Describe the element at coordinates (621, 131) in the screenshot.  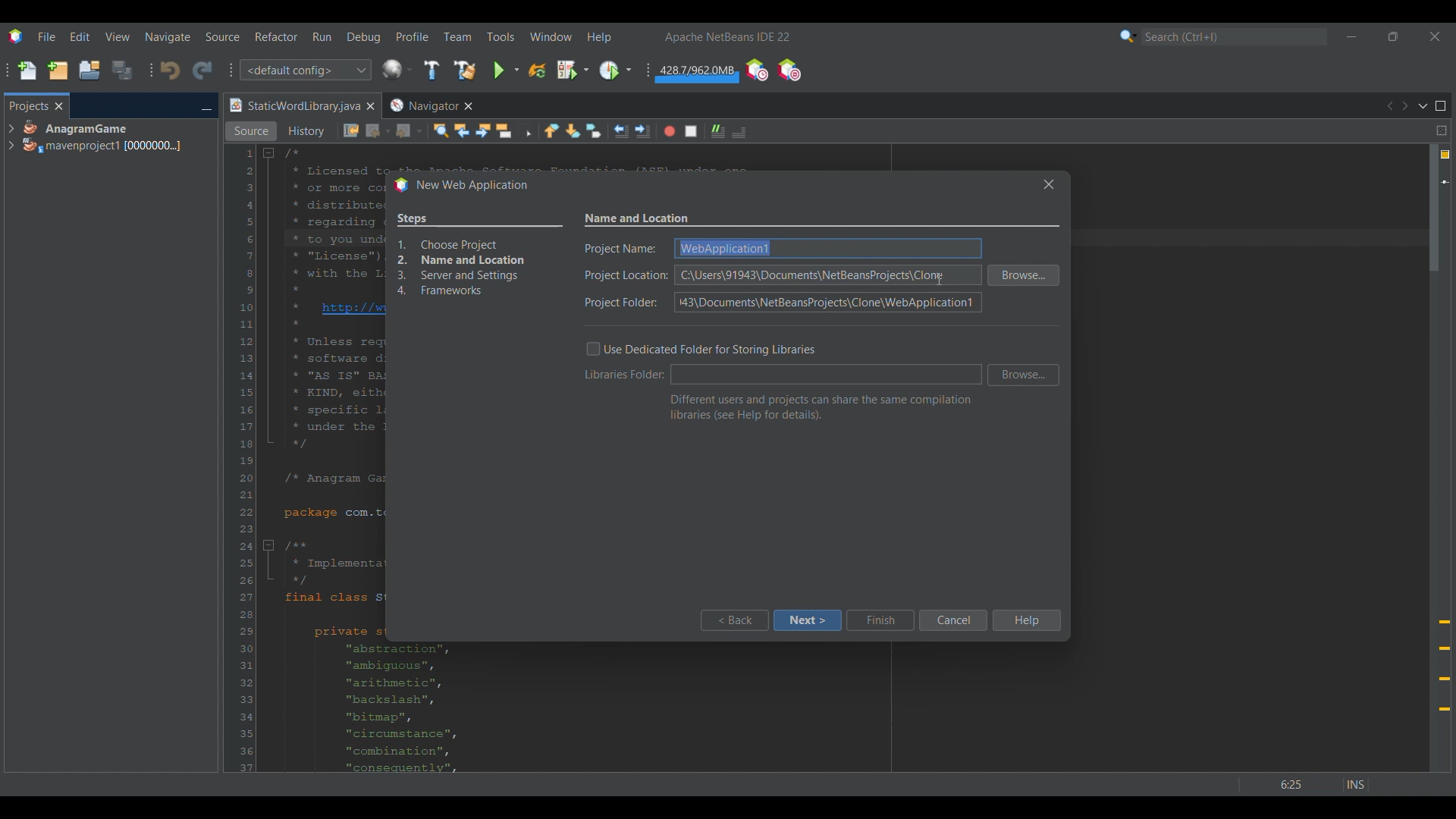
I see `Shift line left` at that location.